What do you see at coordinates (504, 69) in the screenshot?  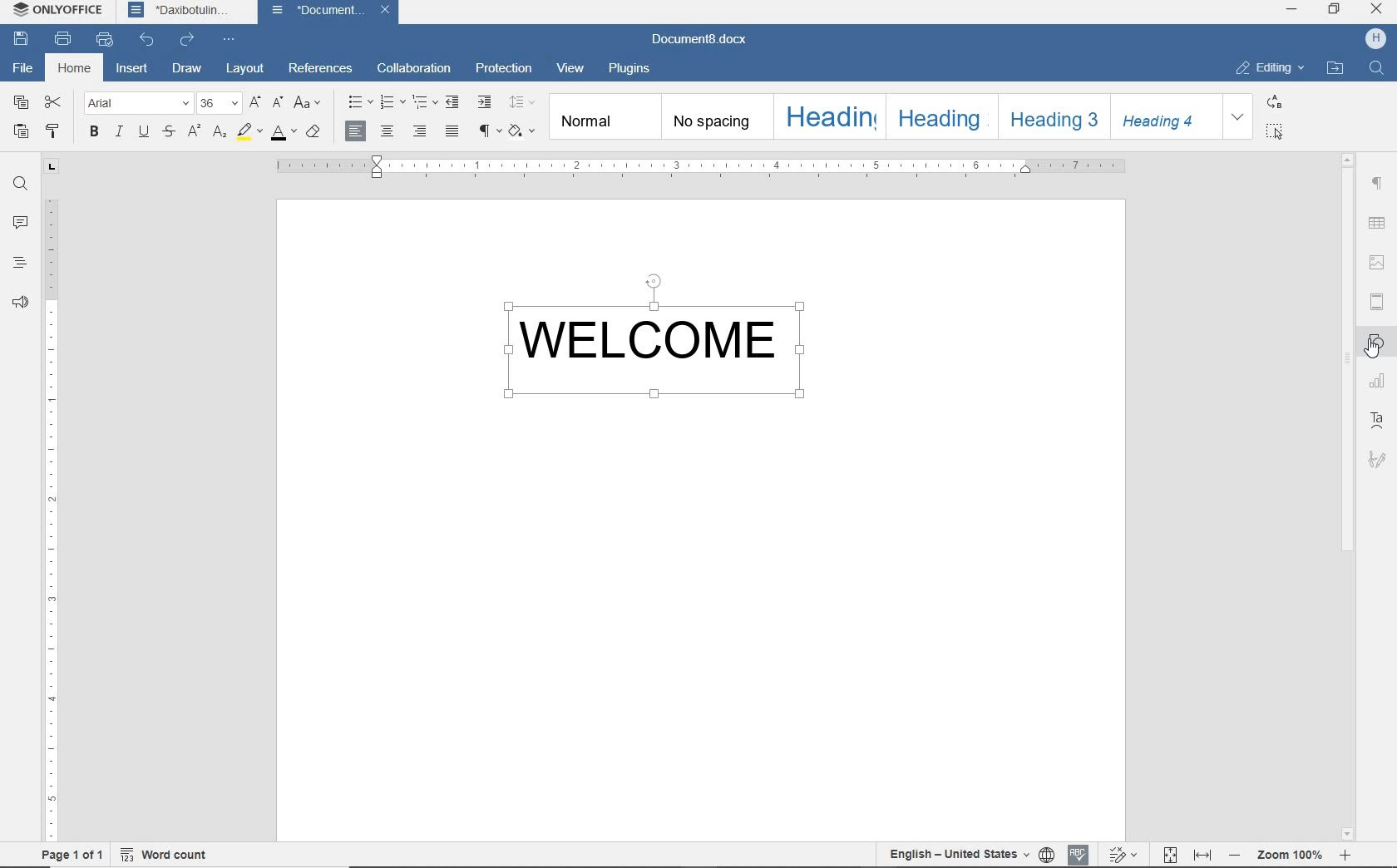 I see `PROTECTION` at bounding box center [504, 69].